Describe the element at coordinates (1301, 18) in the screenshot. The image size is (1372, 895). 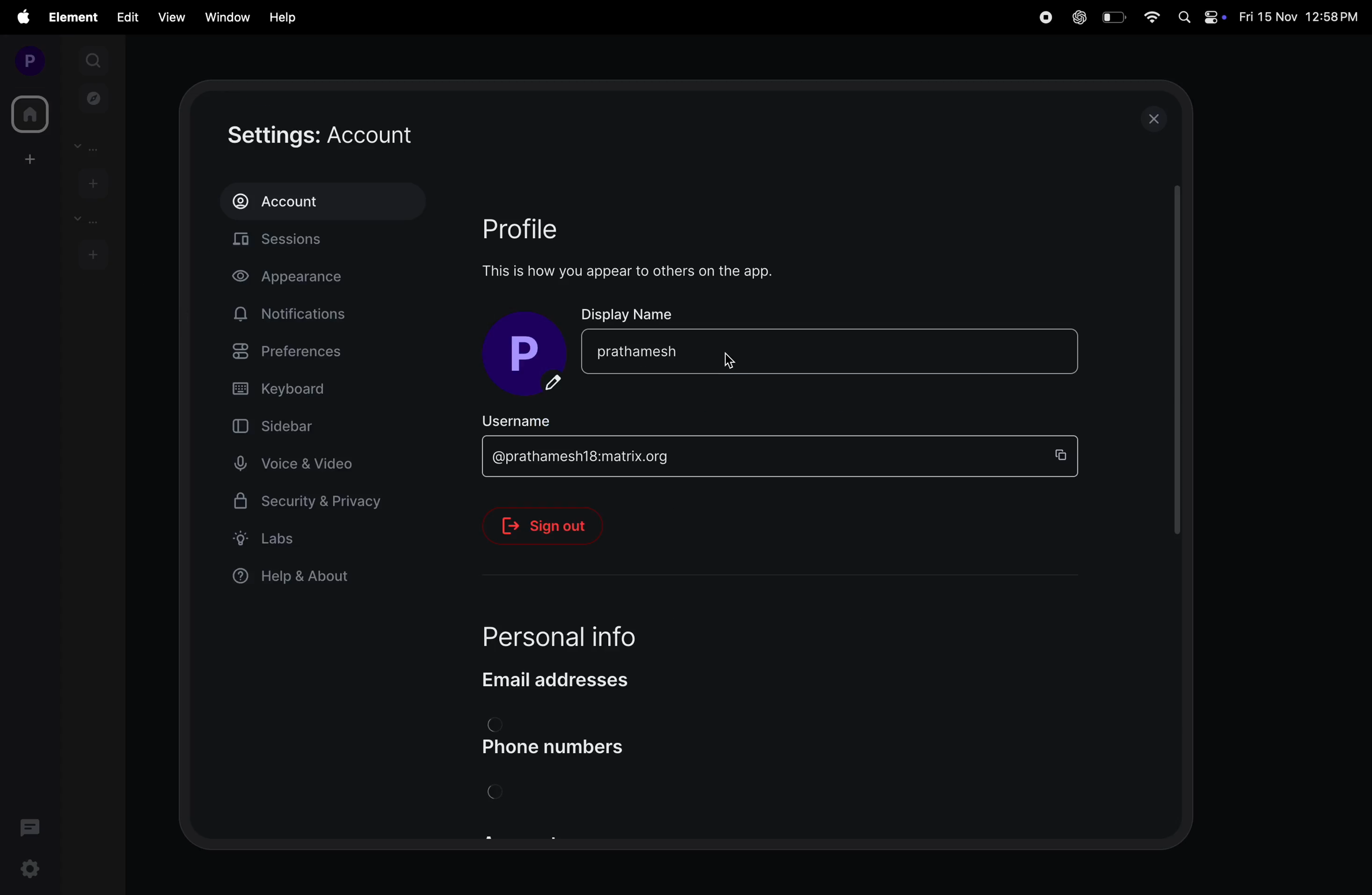
I see `date and time` at that location.